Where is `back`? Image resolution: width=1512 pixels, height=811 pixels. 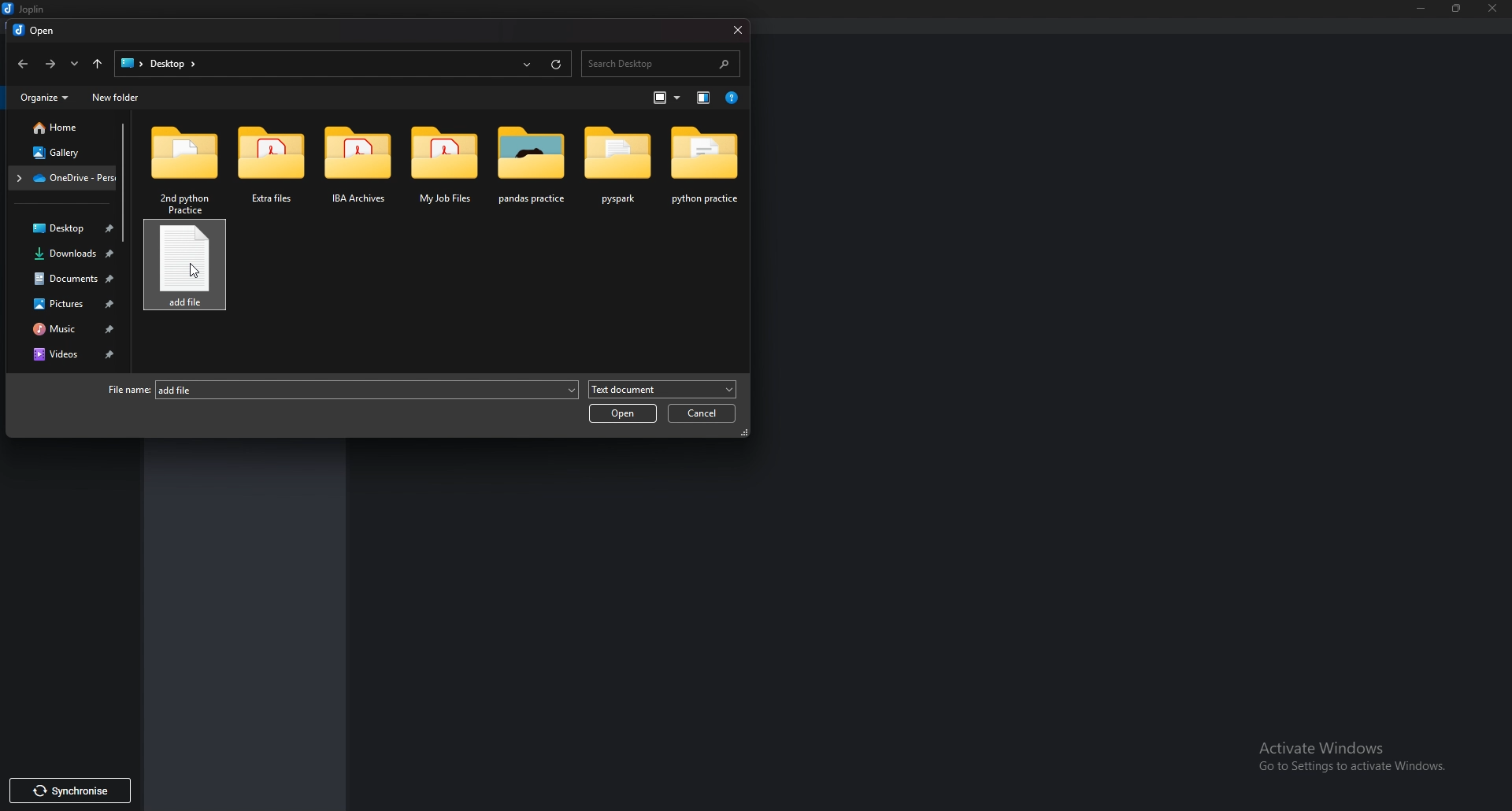 back is located at coordinates (24, 65).